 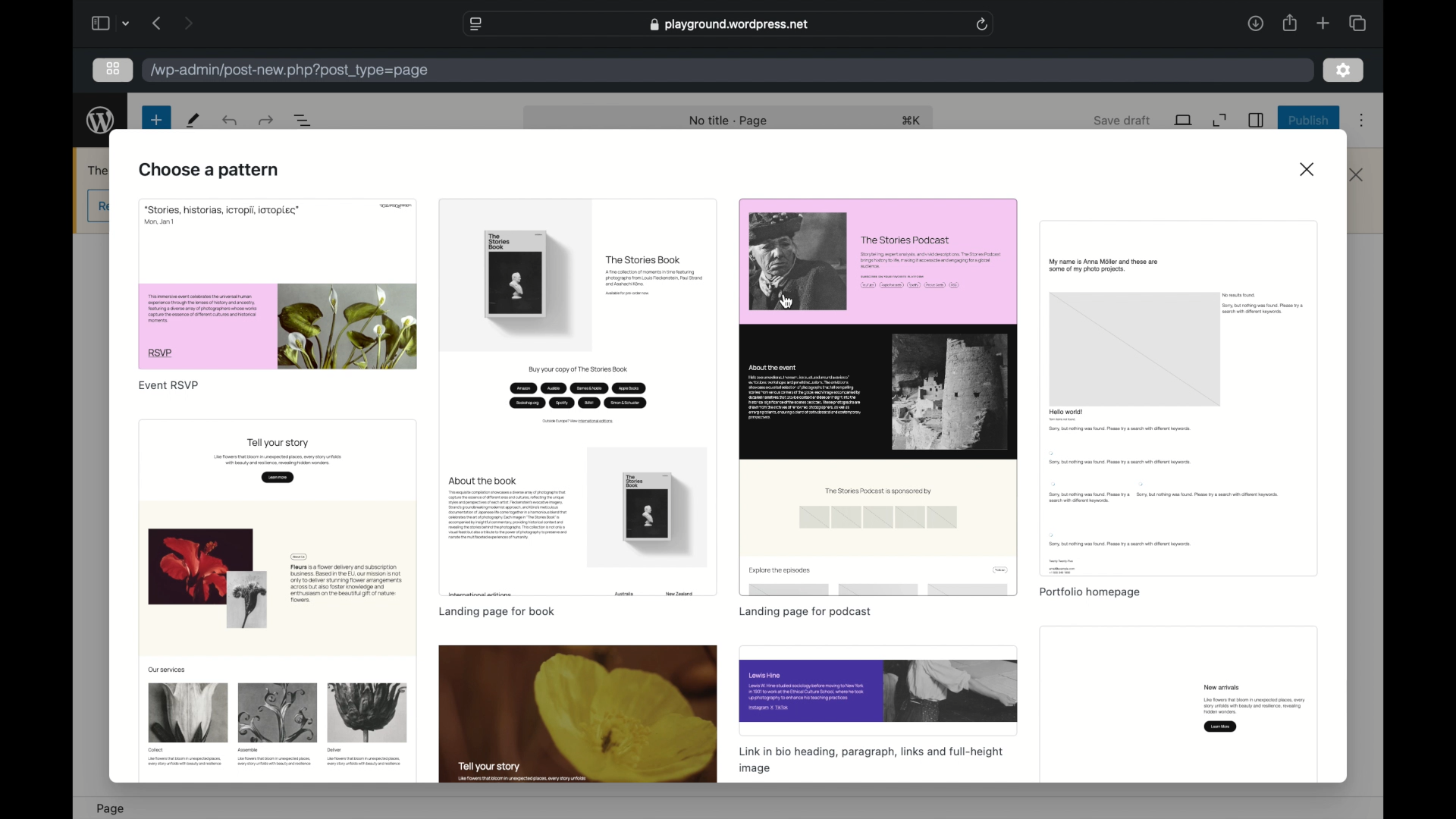 I want to click on view, so click(x=1185, y=120).